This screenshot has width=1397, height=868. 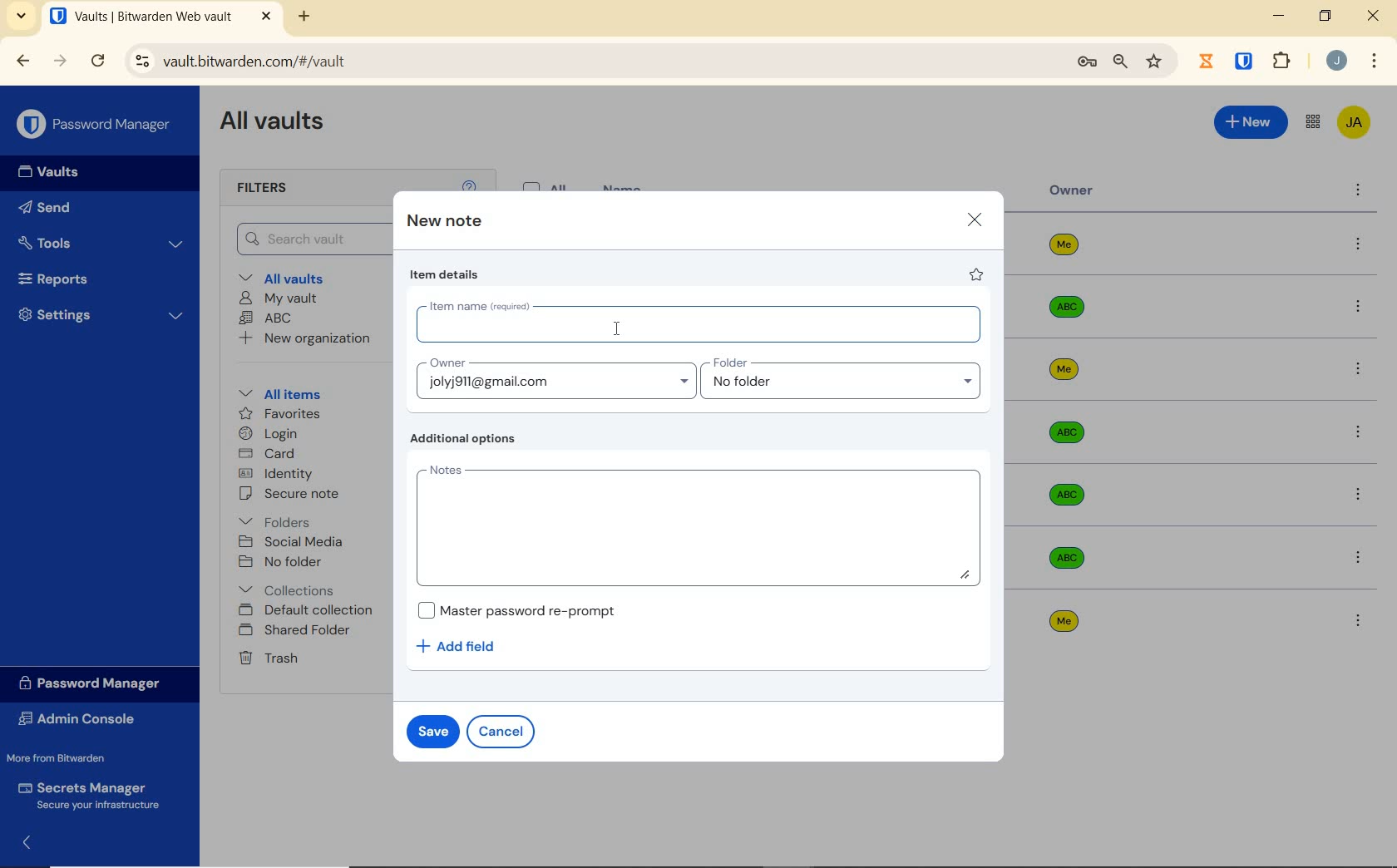 I want to click on RELOAD, so click(x=99, y=62).